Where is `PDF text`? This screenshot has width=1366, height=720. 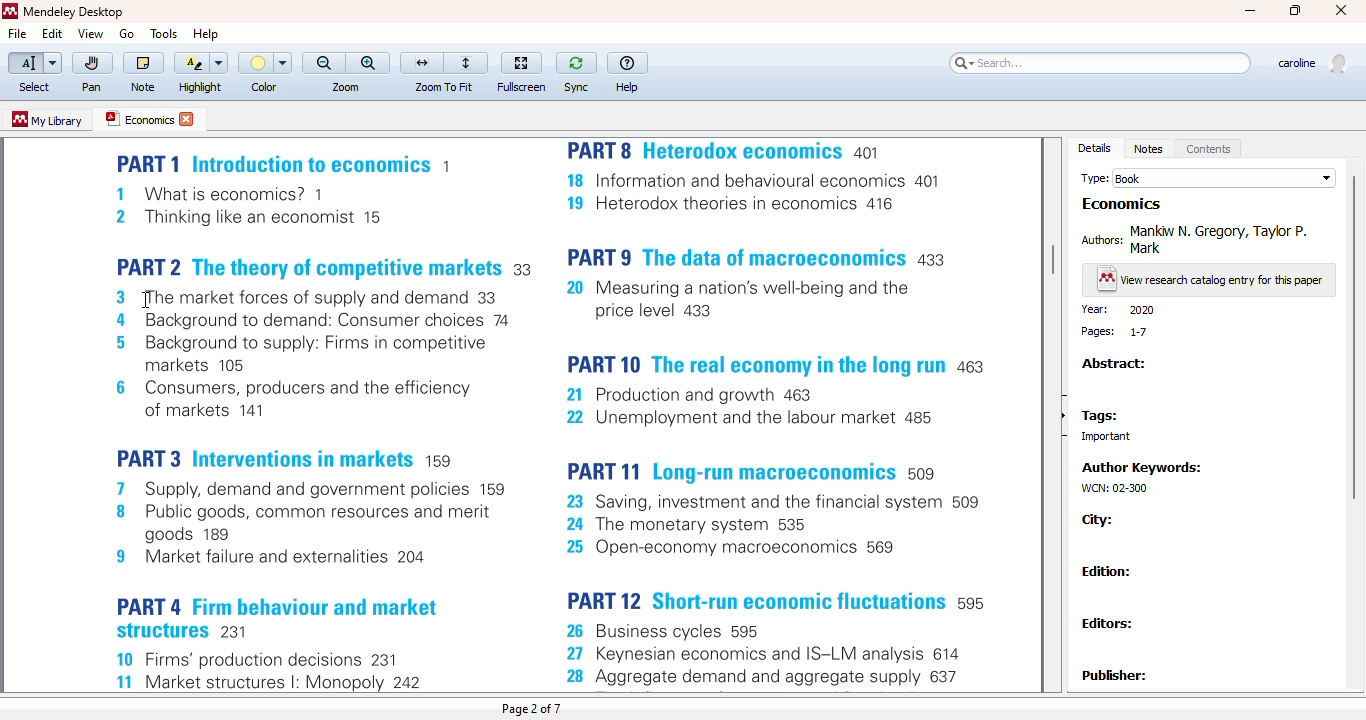
PDF text is located at coordinates (555, 416).